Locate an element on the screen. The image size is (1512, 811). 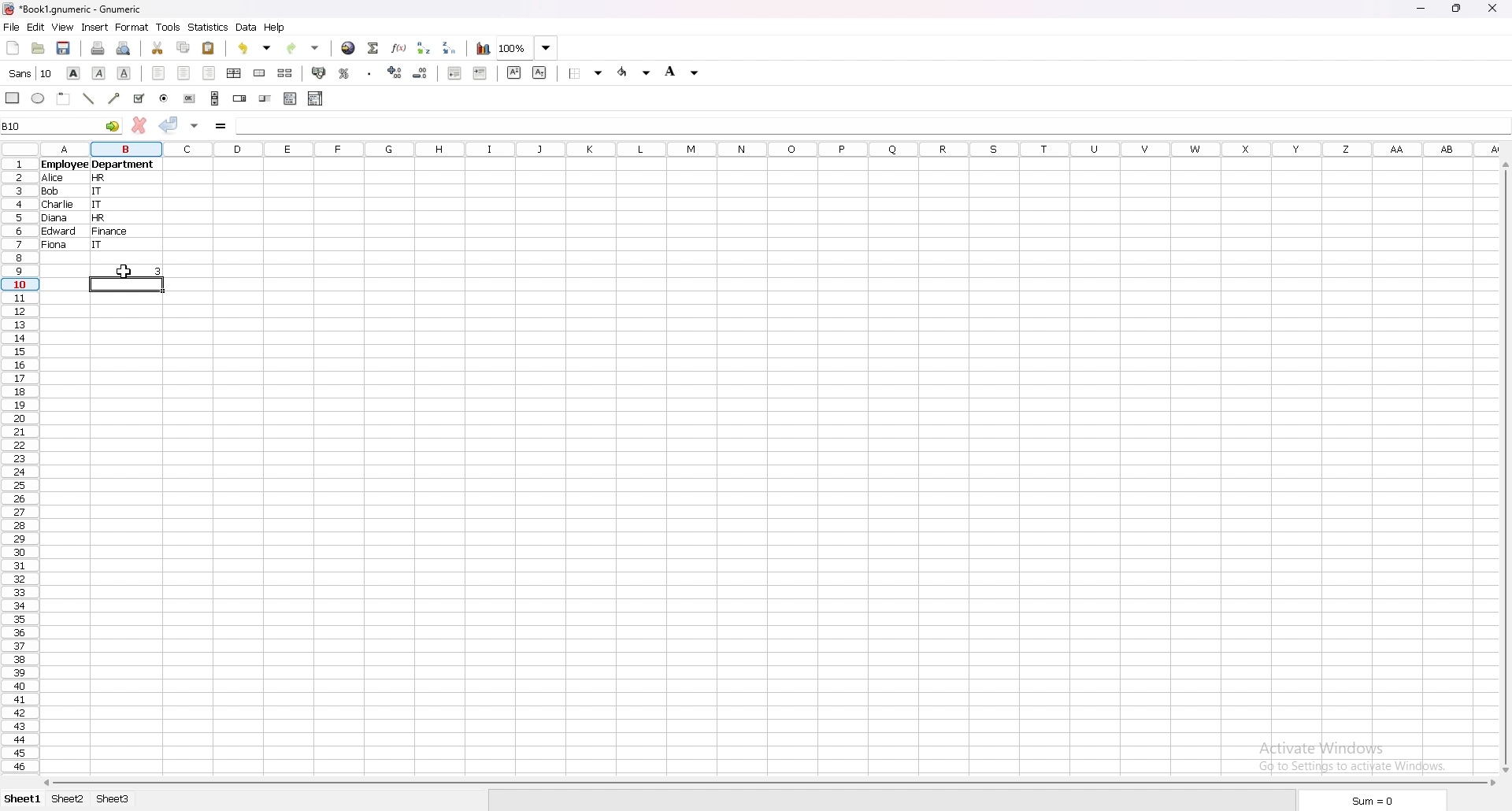
sheet 3 is located at coordinates (114, 799).